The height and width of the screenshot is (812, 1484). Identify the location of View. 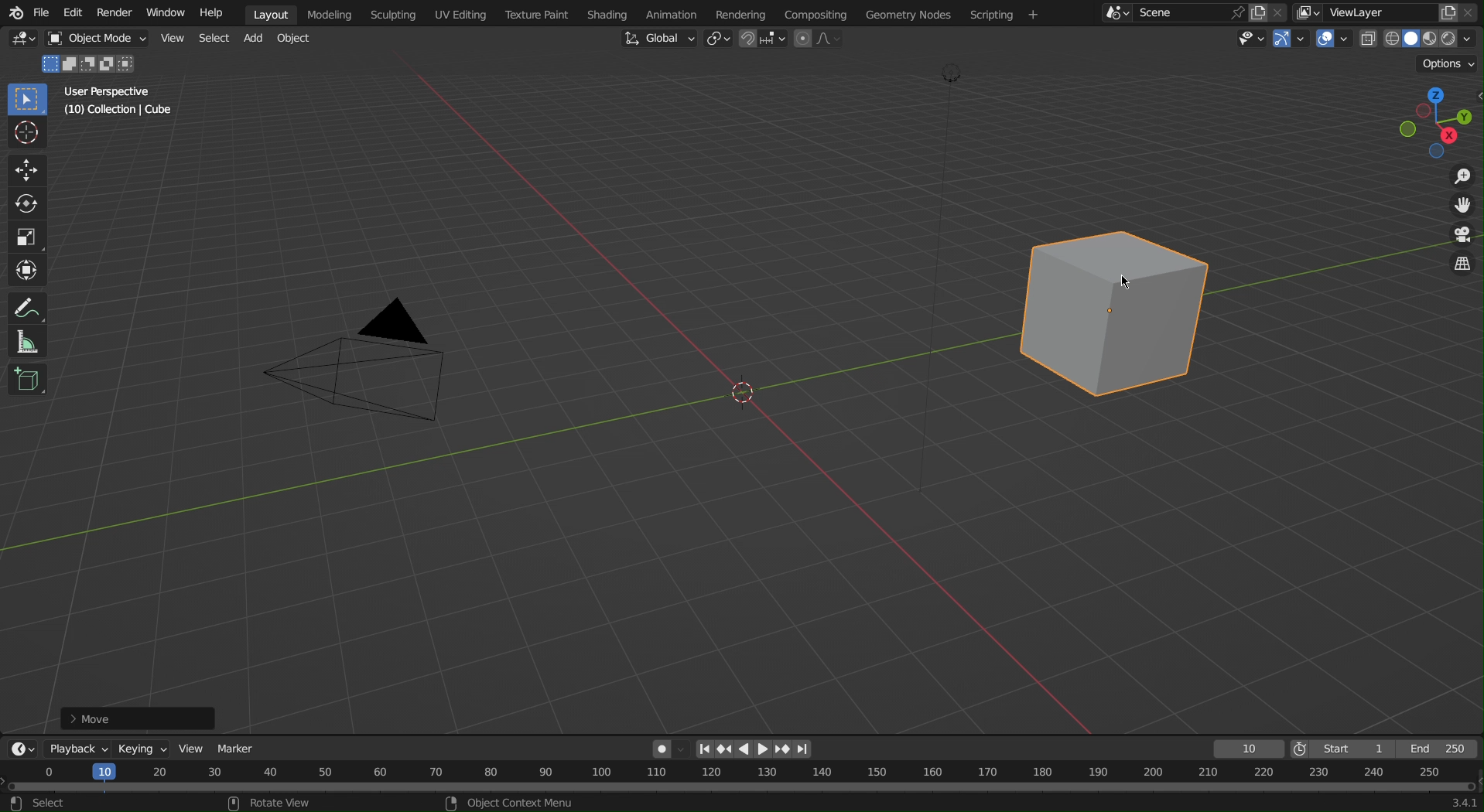
(190, 747).